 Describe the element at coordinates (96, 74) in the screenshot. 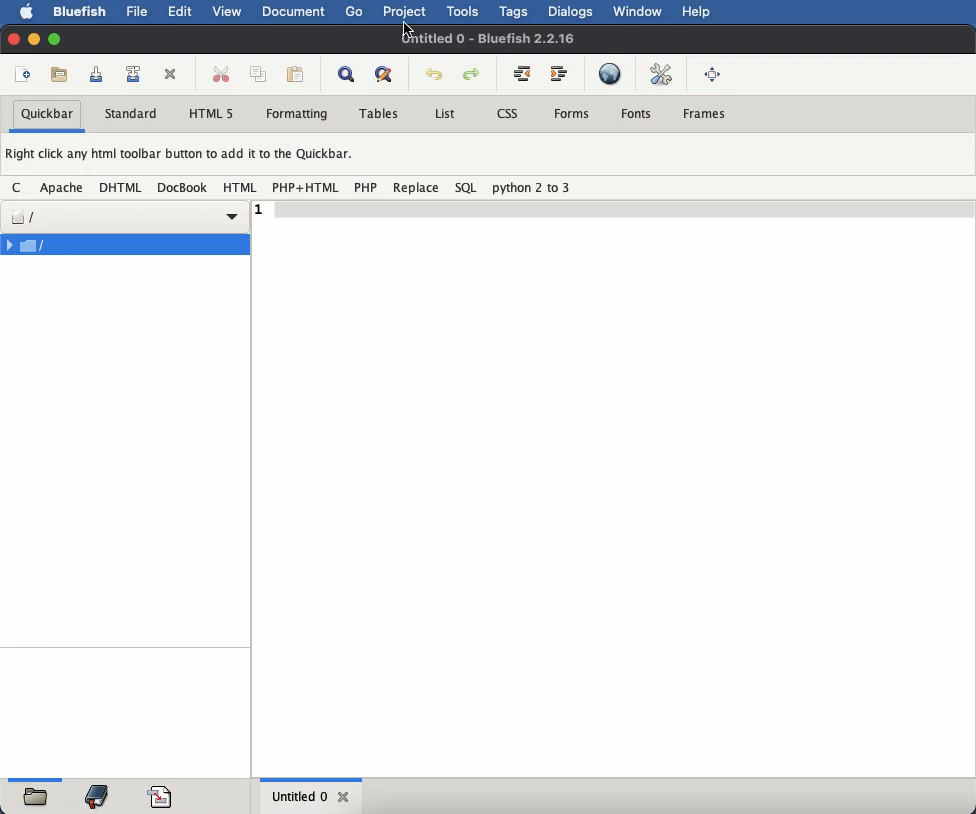

I see `save current file` at that location.